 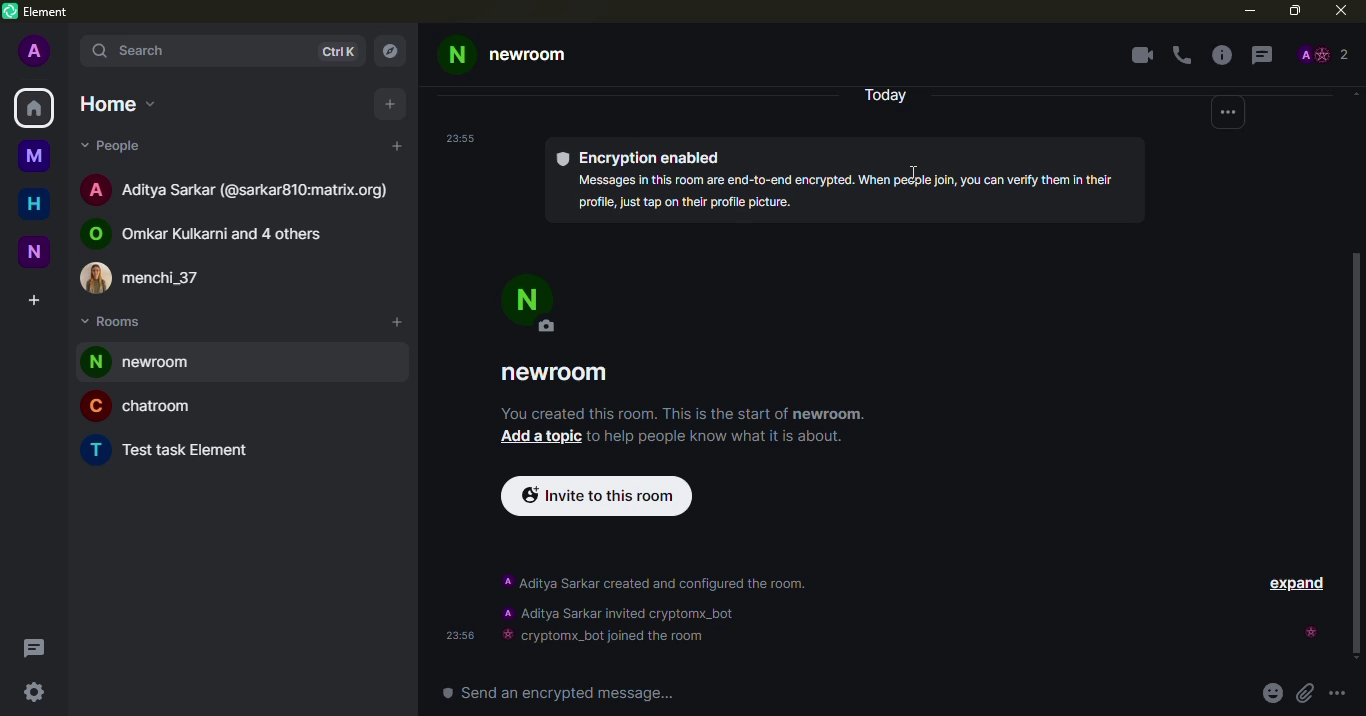 I want to click on new, so click(x=35, y=251).